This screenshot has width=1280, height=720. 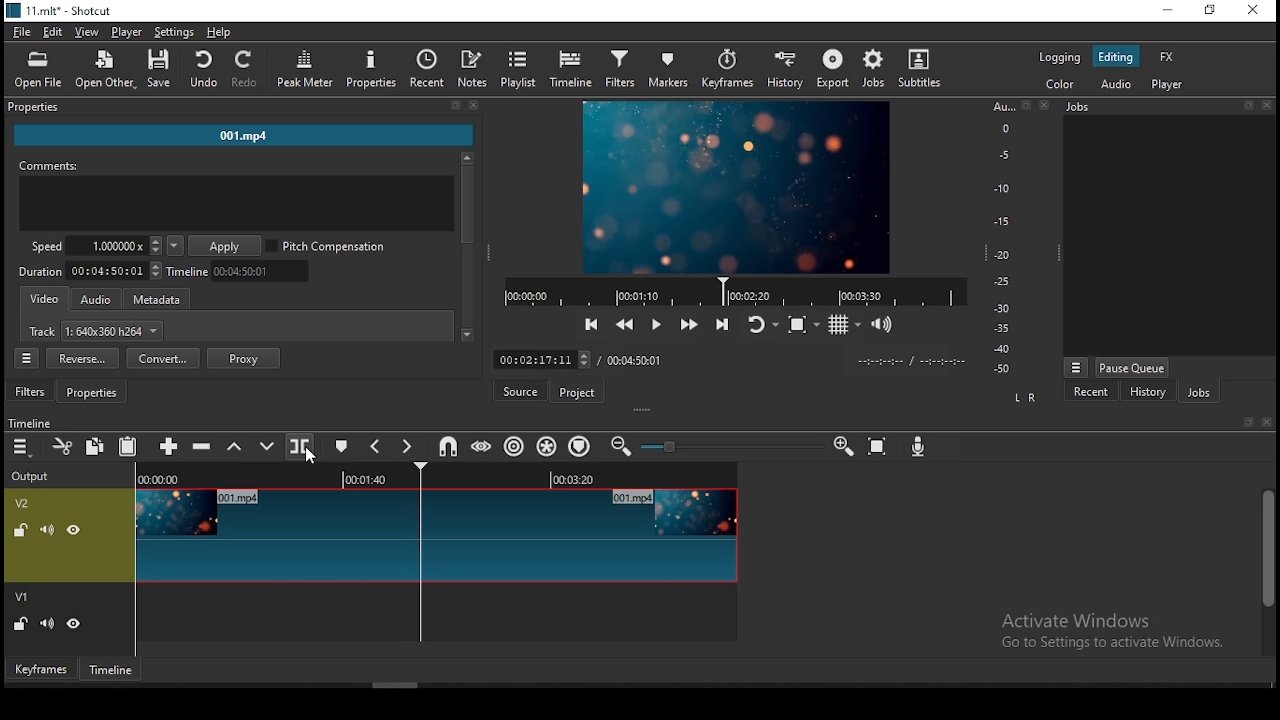 I want to click on , so click(x=30, y=421).